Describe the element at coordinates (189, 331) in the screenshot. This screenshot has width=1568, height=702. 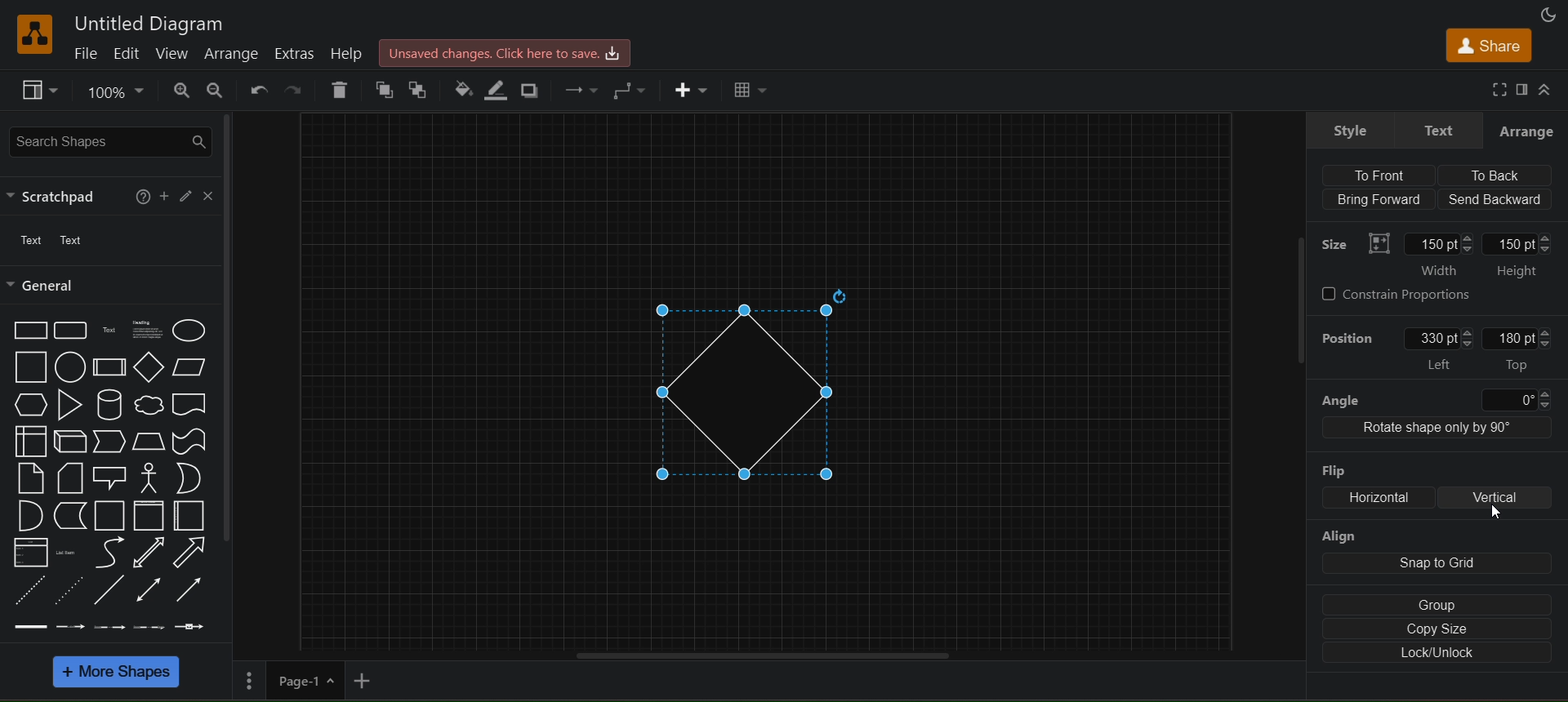
I see `ellipse` at that location.